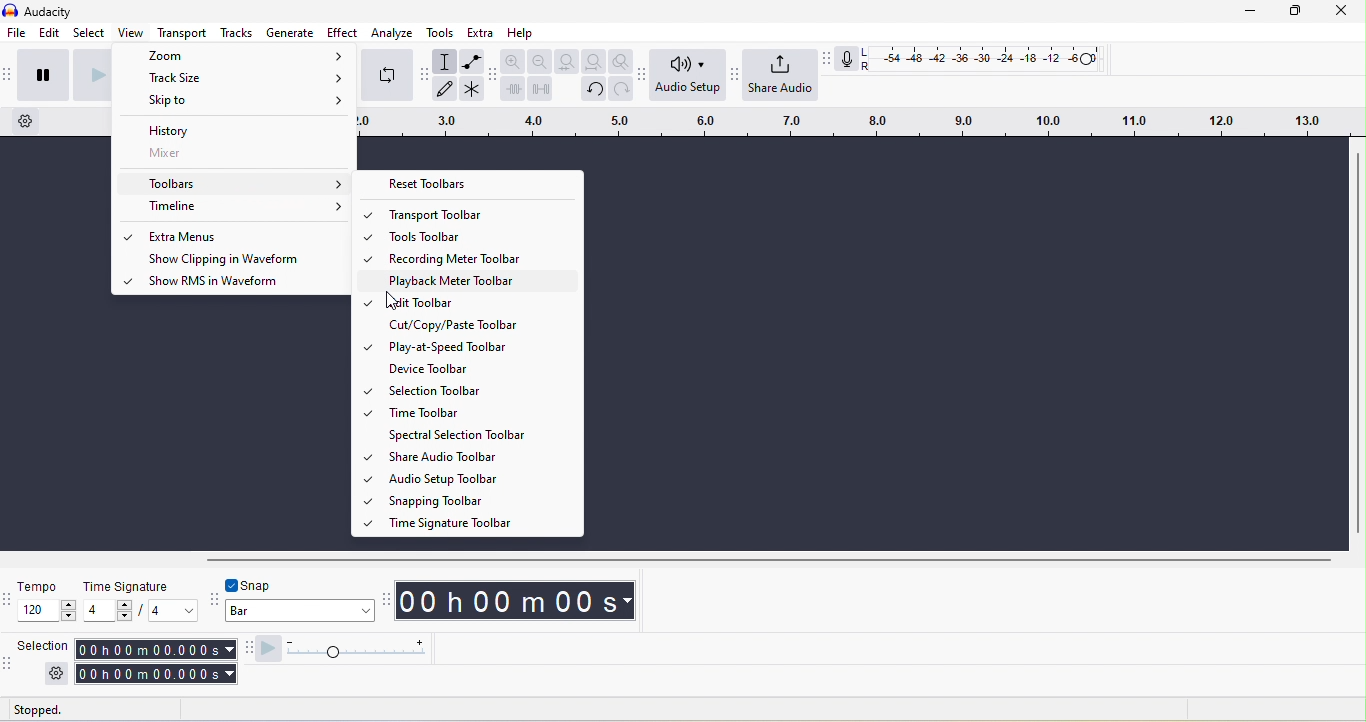 This screenshot has width=1366, height=722. What do you see at coordinates (392, 33) in the screenshot?
I see `analyze` at bounding box center [392, 33].